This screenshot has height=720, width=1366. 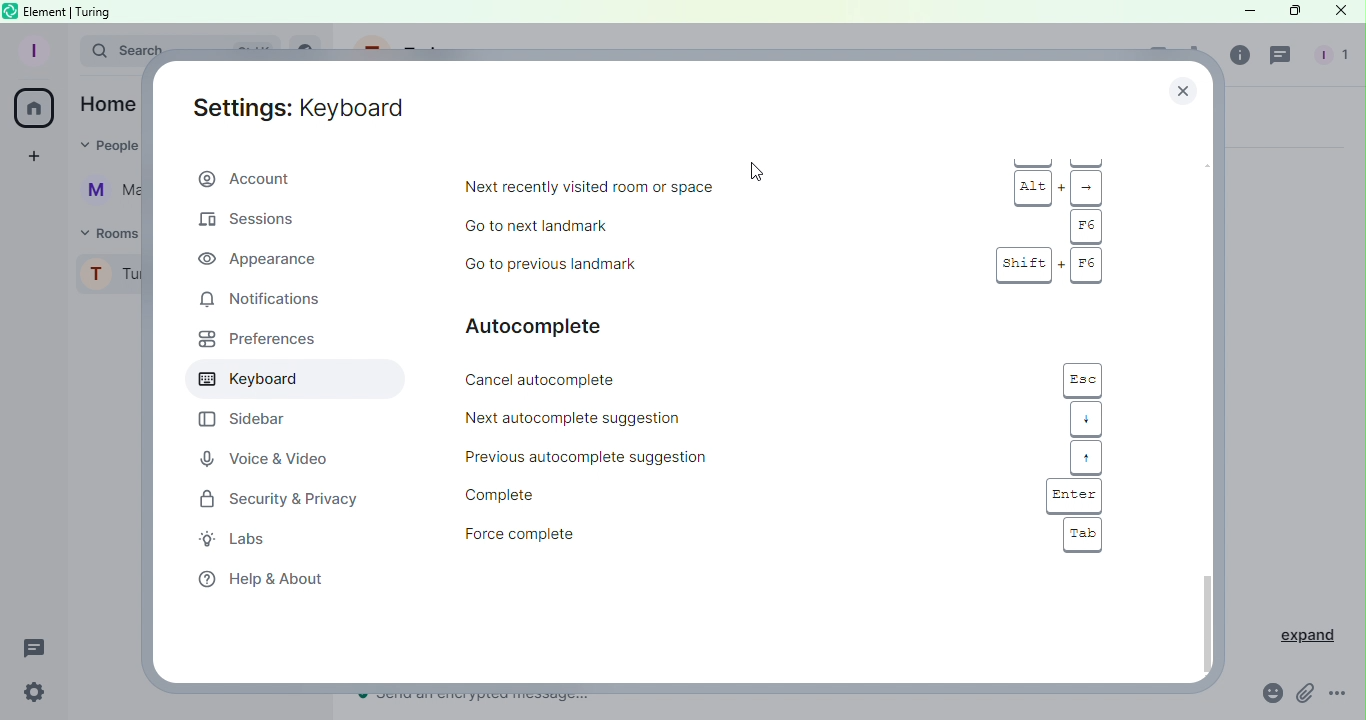 What do you see at coordinates (12, 10) in the screenshot?
I see `Element icon` at bounding box center [12, 10].